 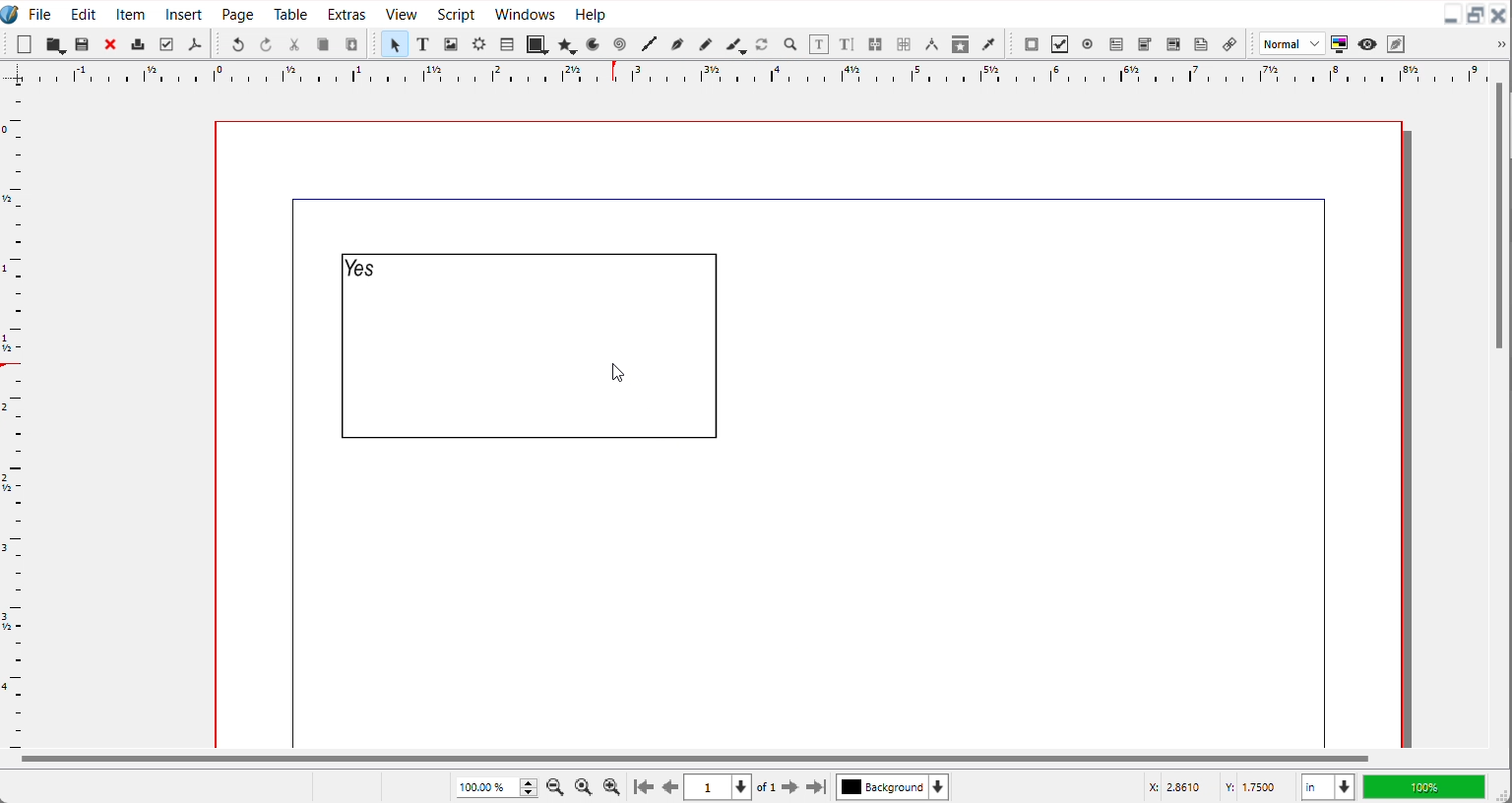 What do you see at coordinates (961, 43) in the screenshot?
I see `Copy item Properties` at bounding box center [961, 43].